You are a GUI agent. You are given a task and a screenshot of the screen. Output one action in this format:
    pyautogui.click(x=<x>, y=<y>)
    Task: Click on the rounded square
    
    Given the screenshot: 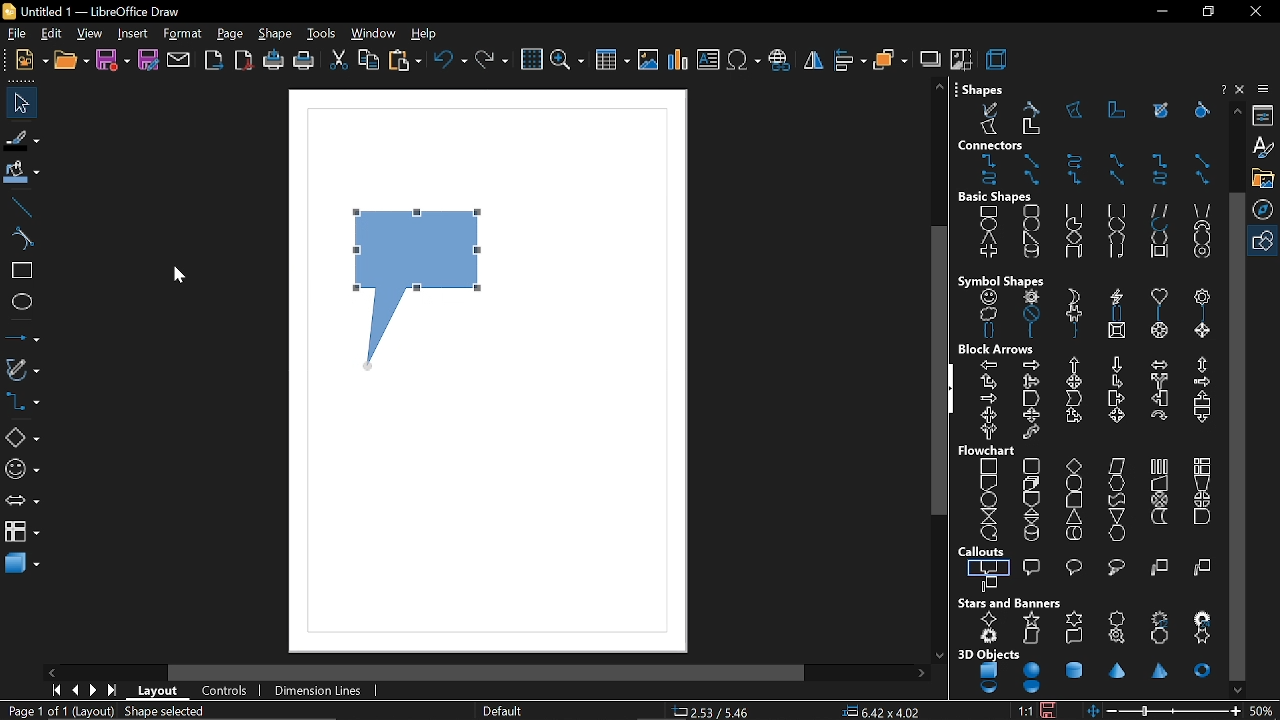 What is the action you would take?
    pyautogui.click(x=1115, y=210)
    